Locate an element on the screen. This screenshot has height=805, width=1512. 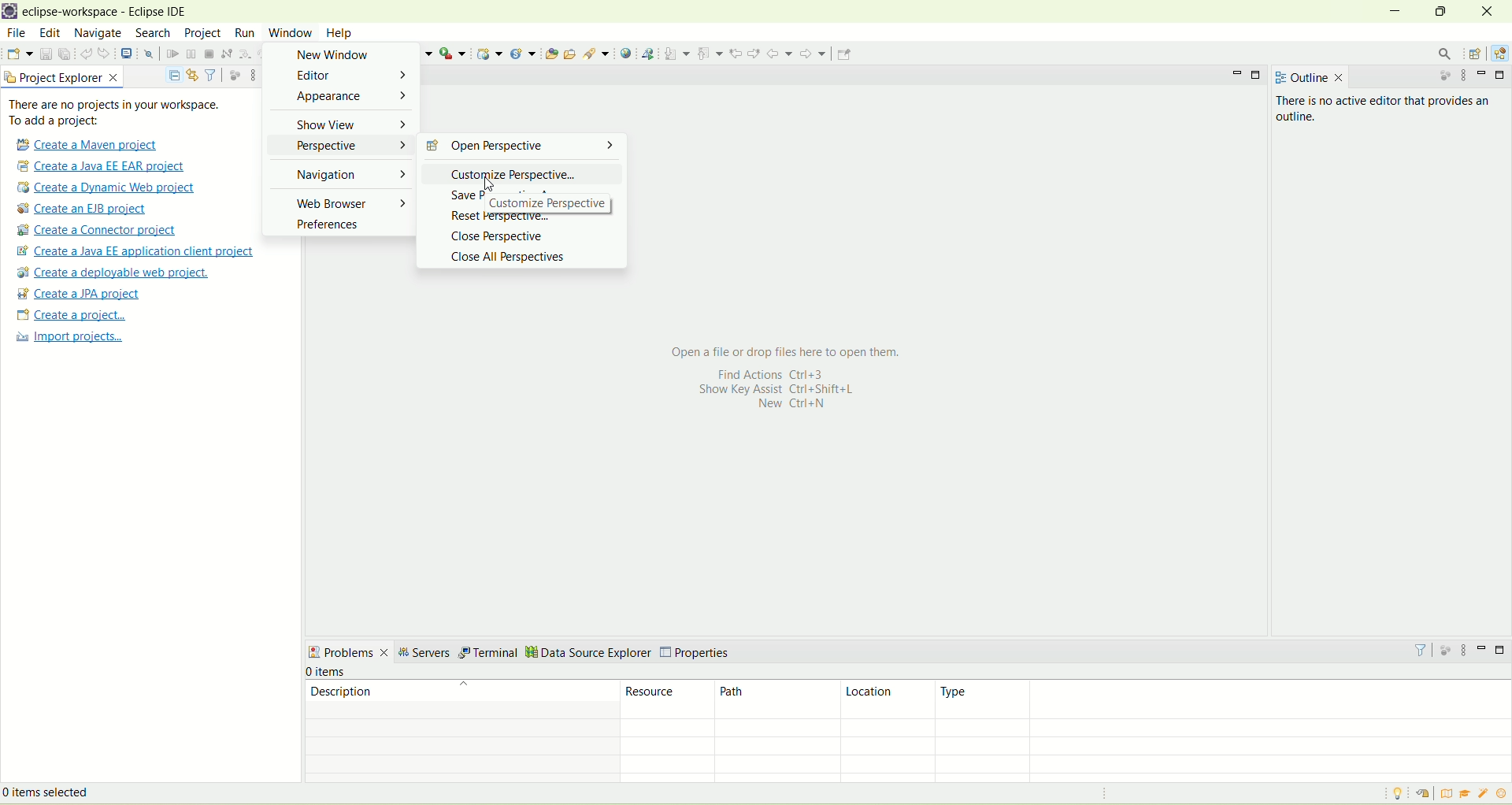
edit is located at coordinates (51, 35).